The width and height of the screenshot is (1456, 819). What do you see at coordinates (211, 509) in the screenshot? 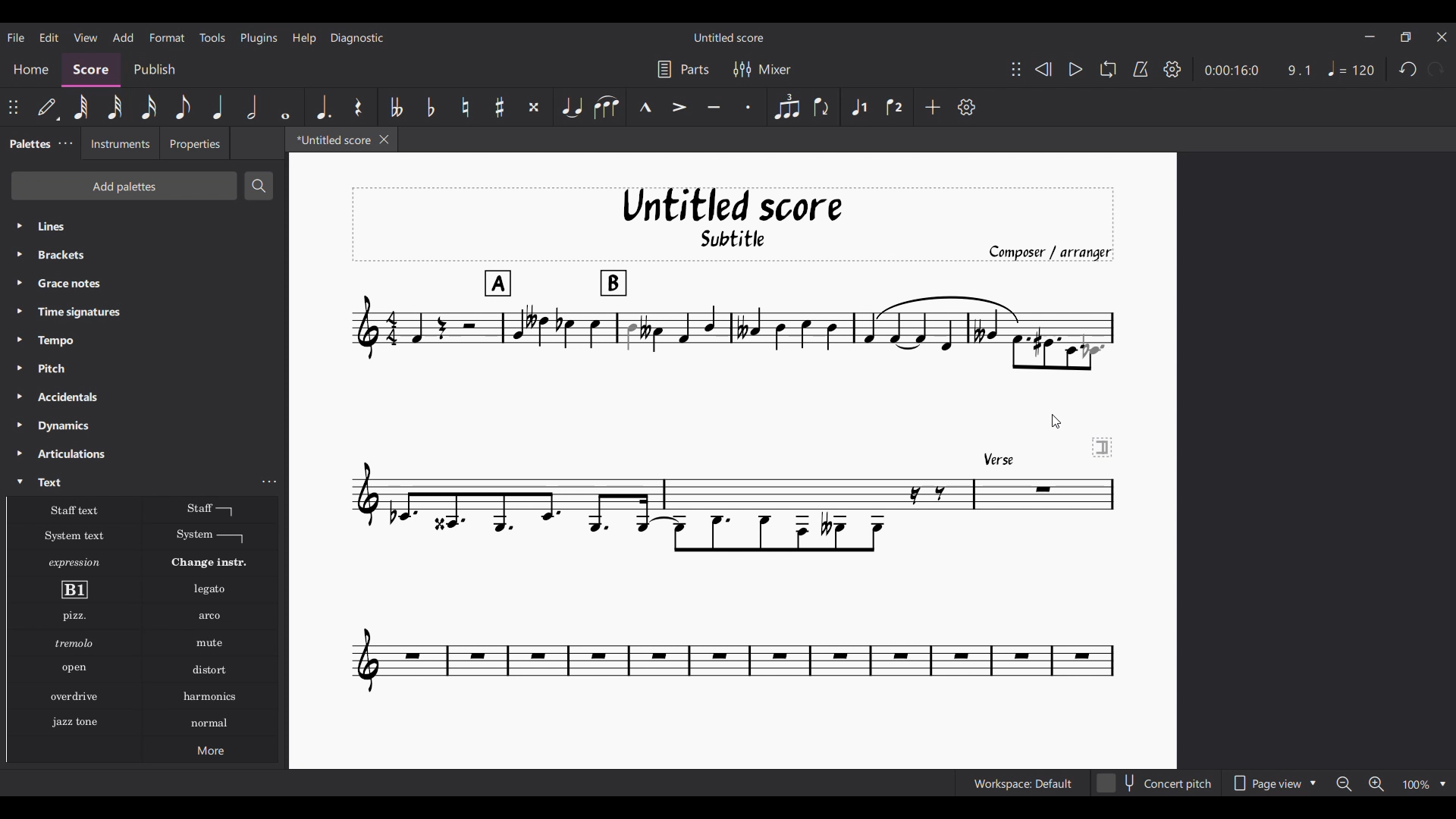
I see `Staff text line` at bounding box center [211, 509].